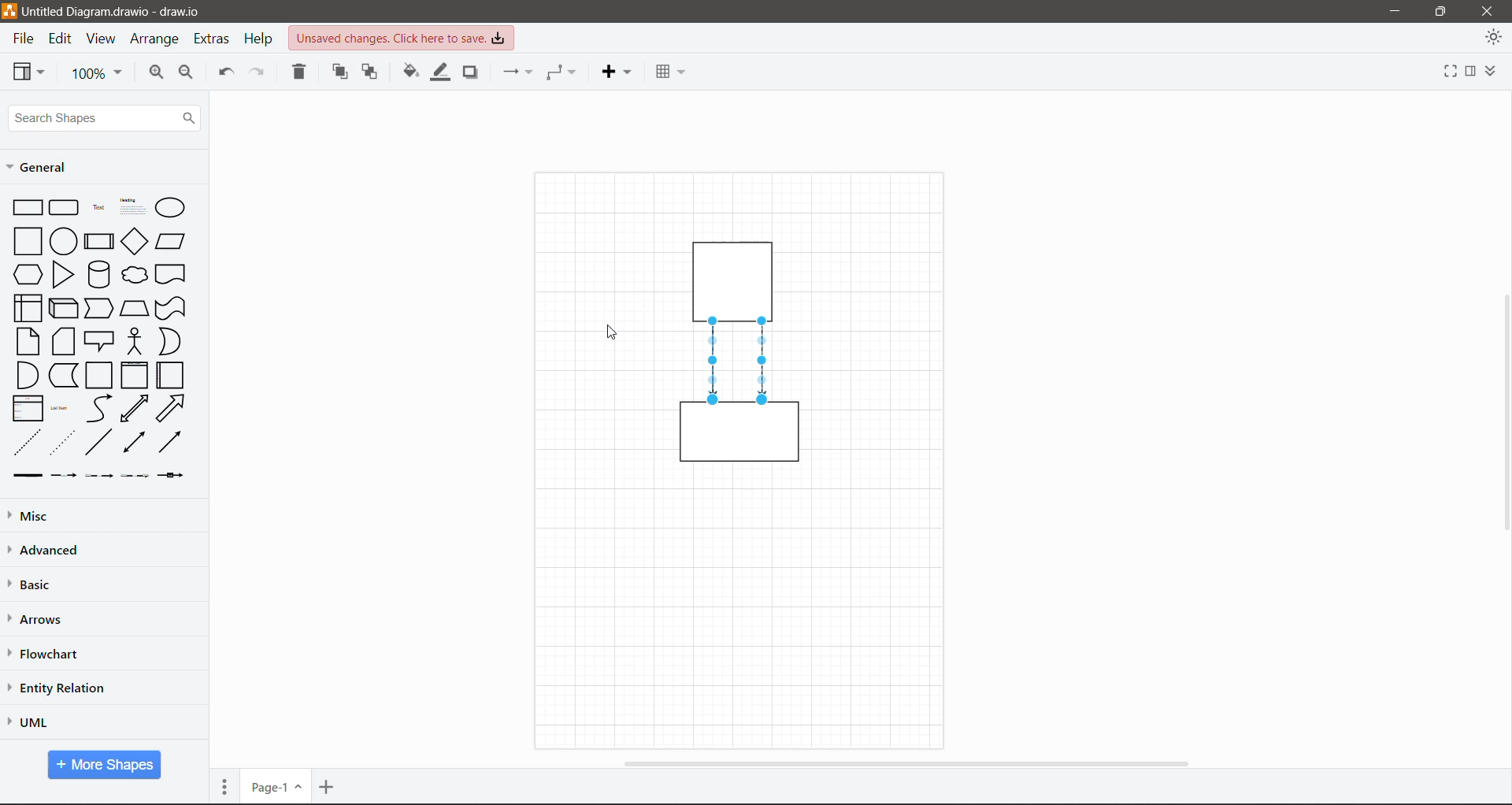 The image size is (1512, 805). Describe the element at coordinates (1487, 10) in the screenshot. I see `close` at that location.